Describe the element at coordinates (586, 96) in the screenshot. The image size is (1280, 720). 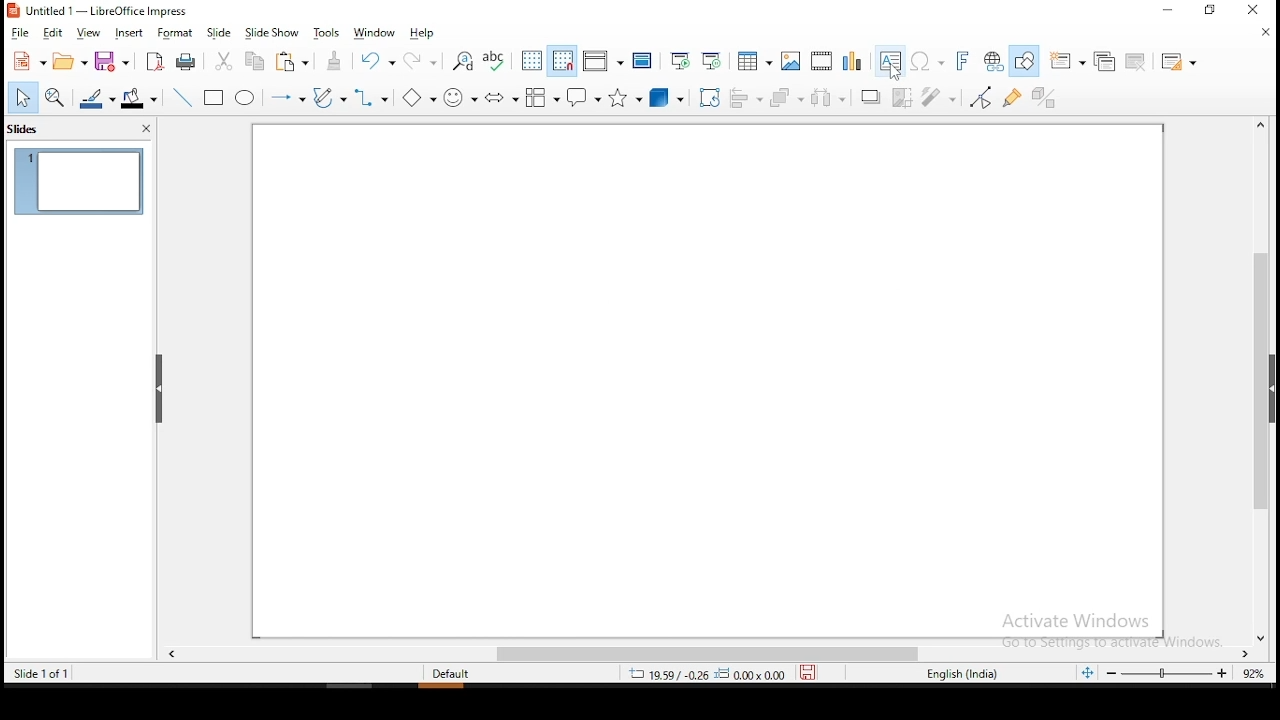
I see `callout shapes` at that location.